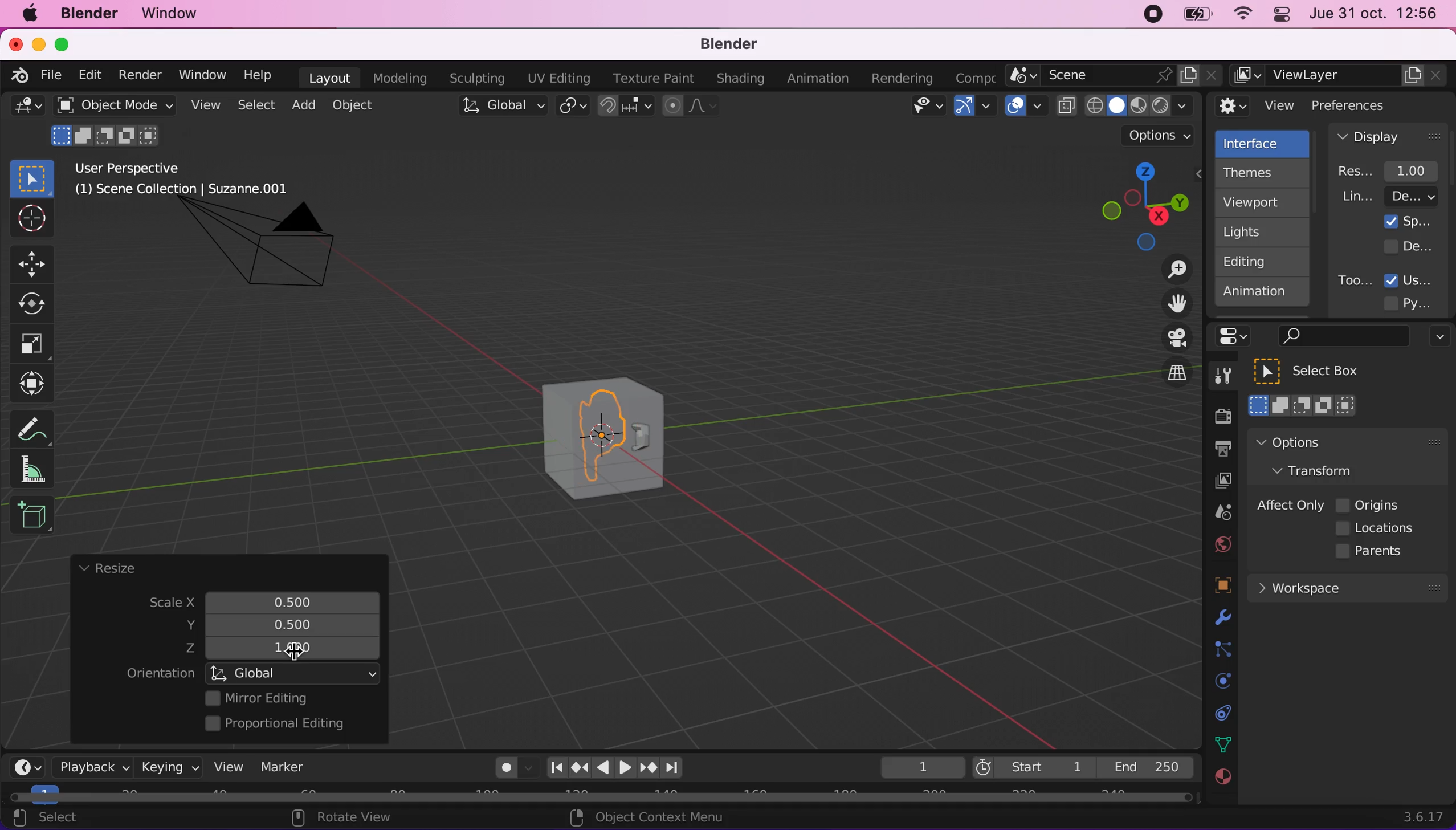 Image resolution: width=1456 pixels, height=830 pixels. I want to click on toggle the camera view, so click(1169, 339).